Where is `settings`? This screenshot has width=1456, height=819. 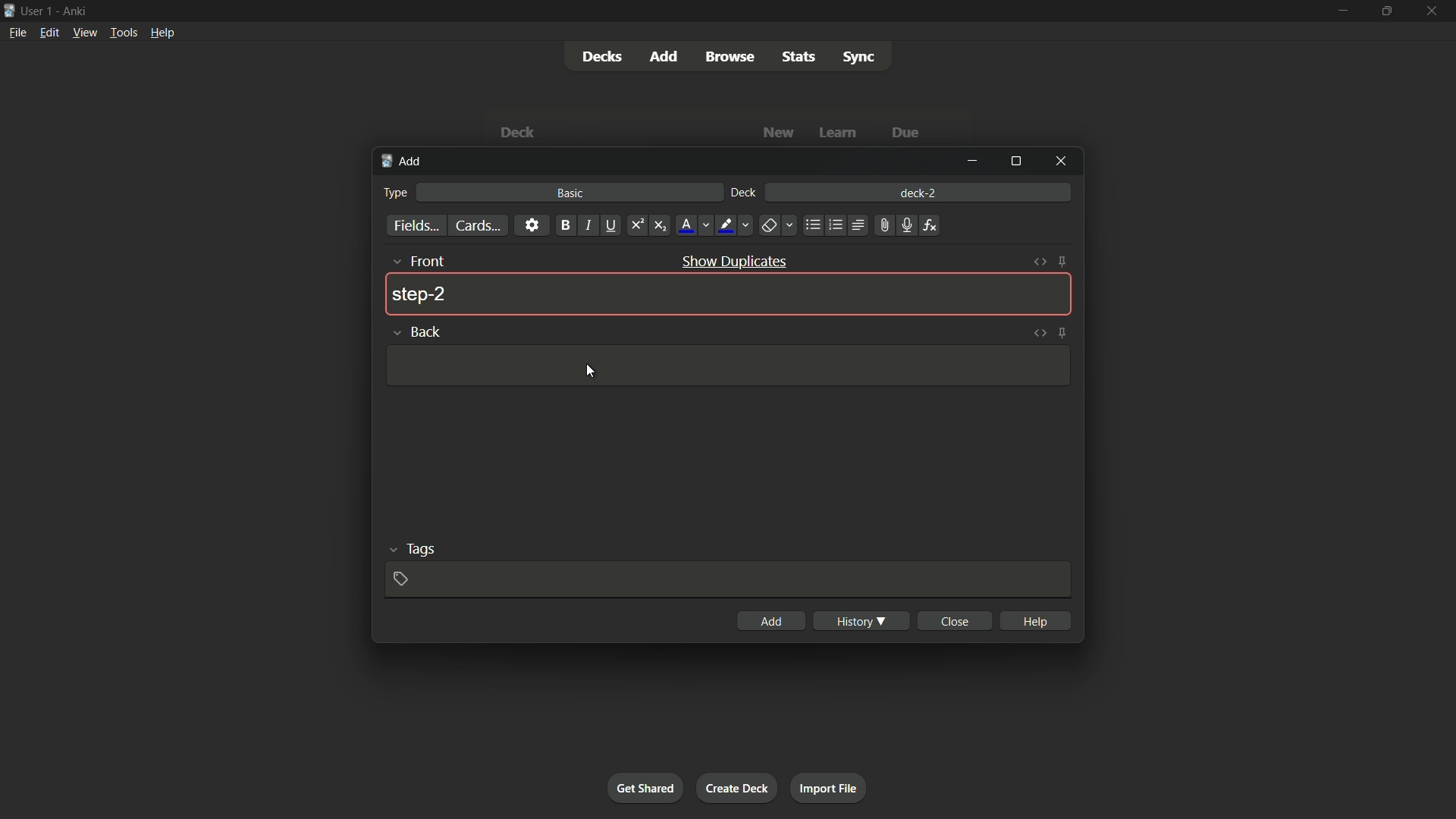
settings is located at coordinates (532, 226).